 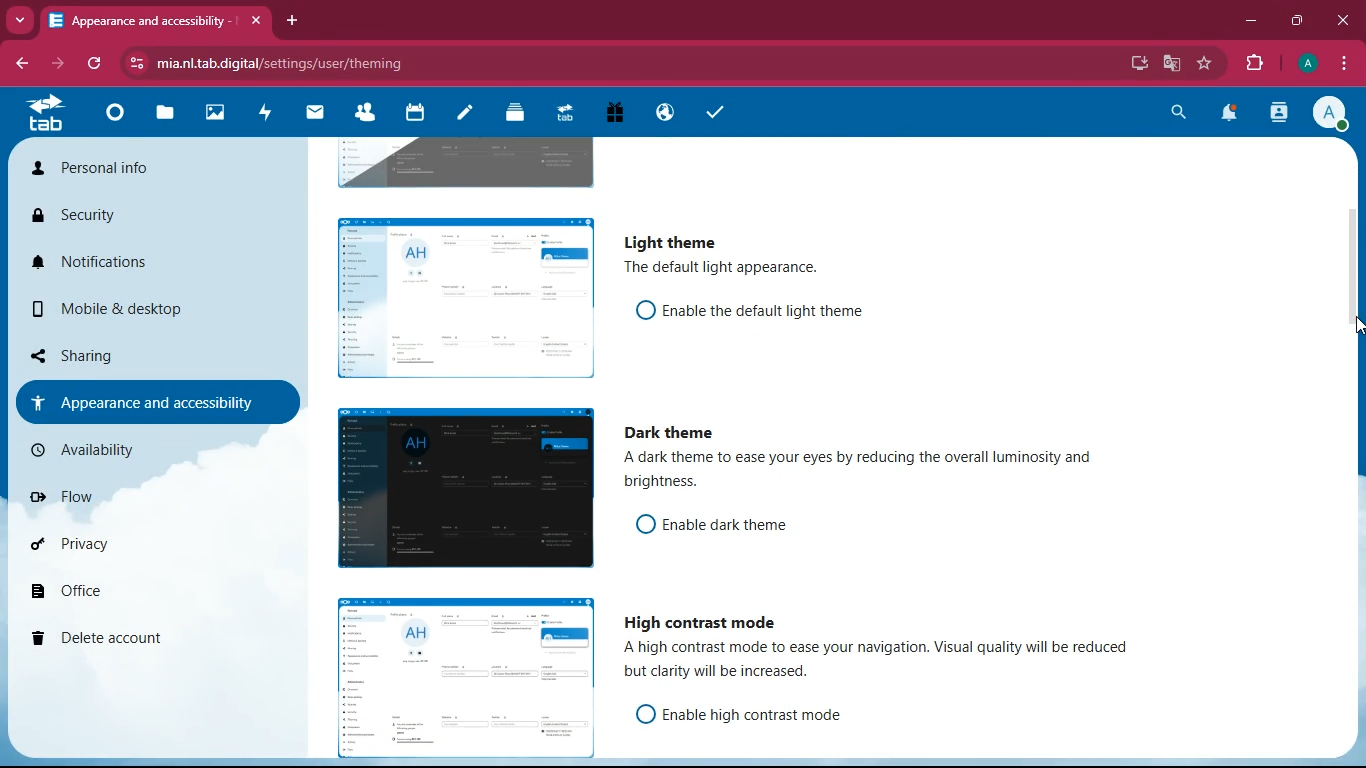 What do you see at coordinates (765, 309) in the screenshot?
I see `enable` at bounding box center [765, 309].